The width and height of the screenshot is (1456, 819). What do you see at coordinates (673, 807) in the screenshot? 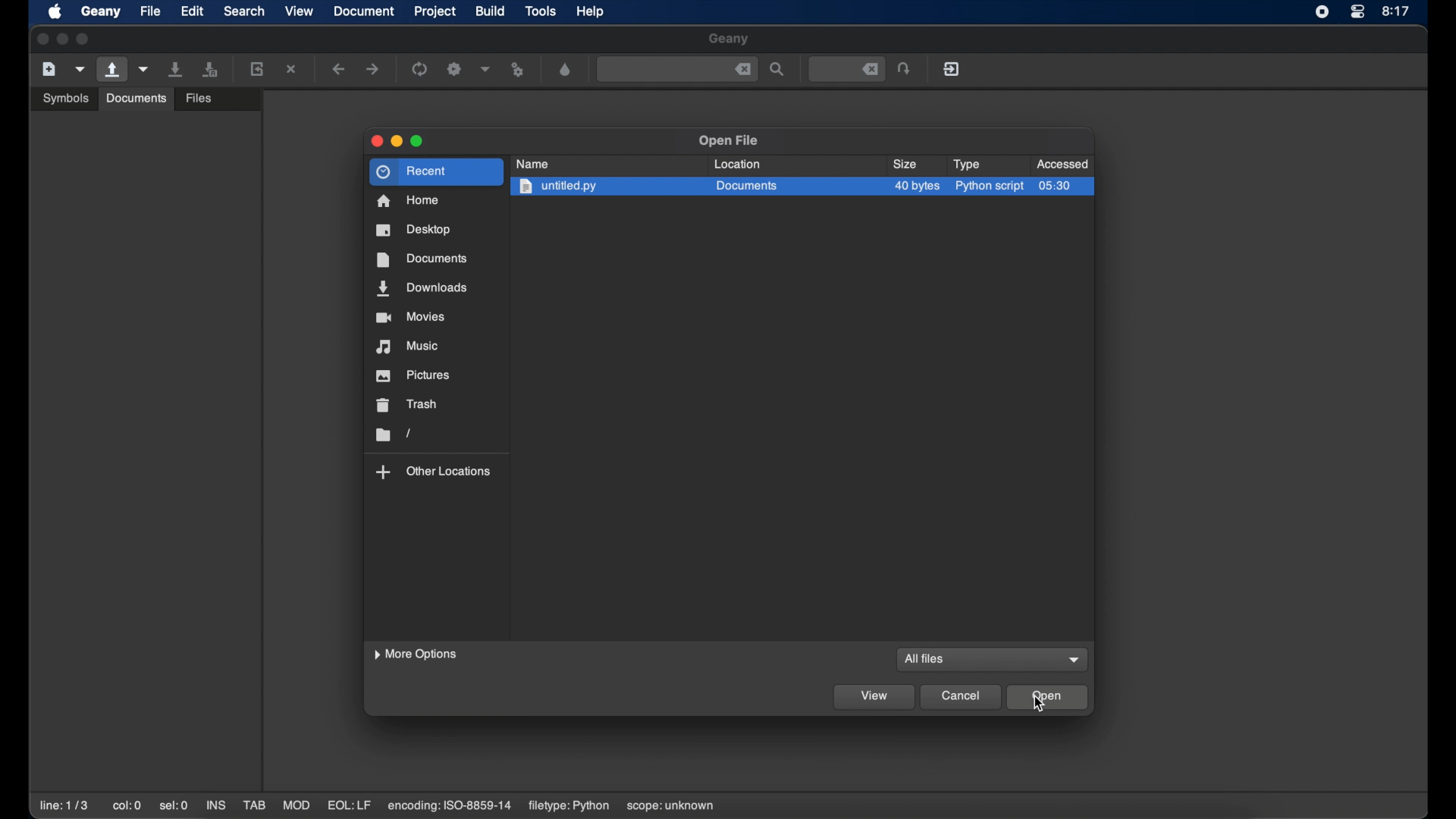
I see `scope: unknown` at bounding box center [673, 807].